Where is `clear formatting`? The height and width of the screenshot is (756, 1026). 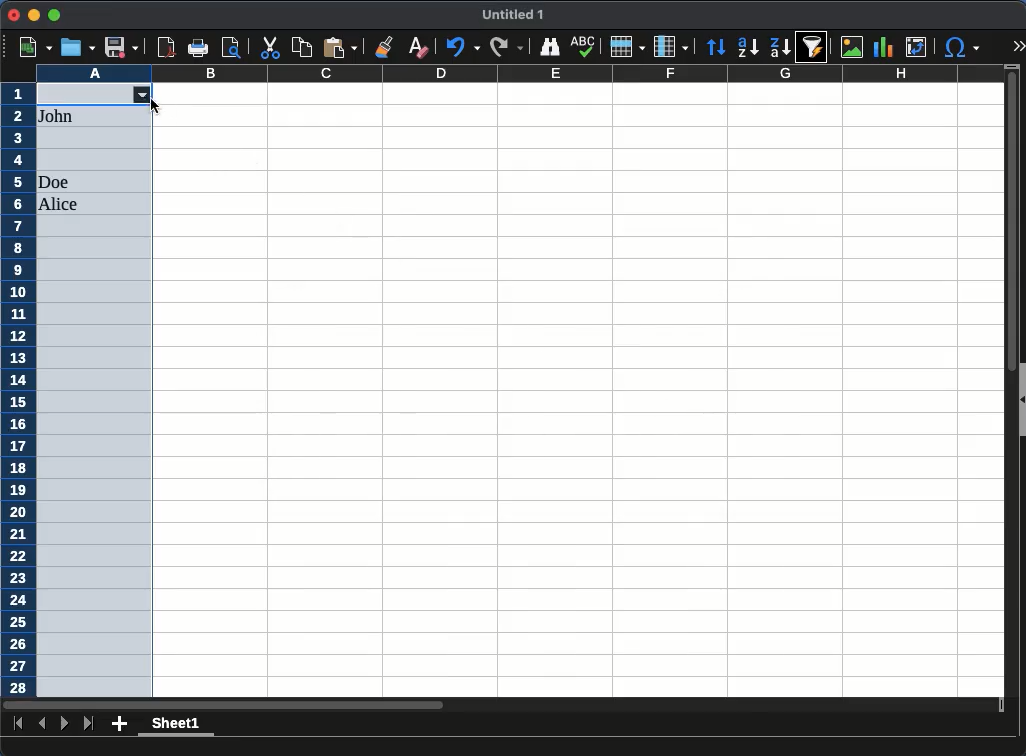 clear formatting is located at coordinates (417, 48).